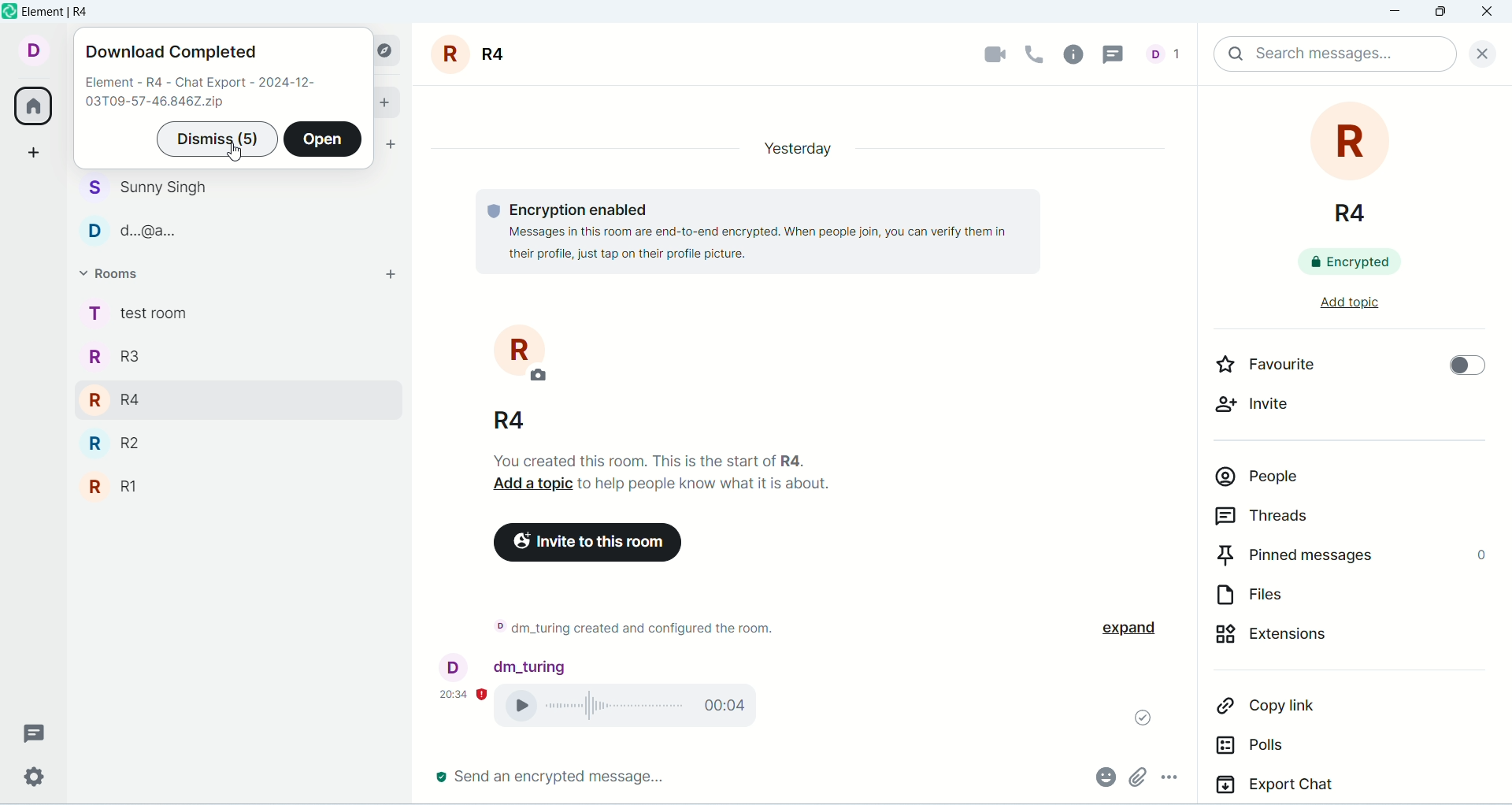 The height and width of the screenshot is (805, 1512). What do you see at coordinates (1459, 368) in the screenshot?
I see `toggle button` at bounding box center [1459, 368].